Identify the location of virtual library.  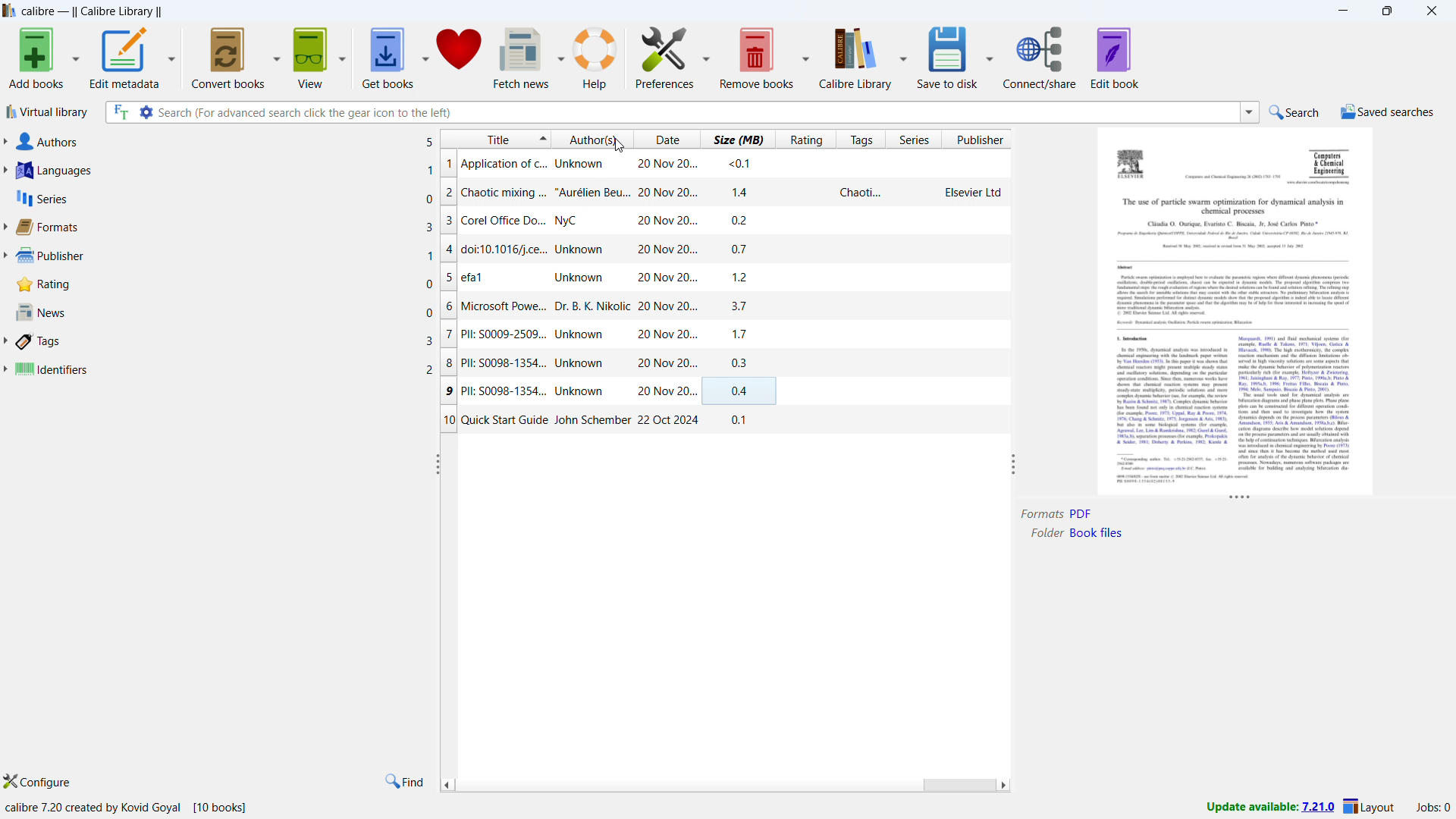
(45, 112).